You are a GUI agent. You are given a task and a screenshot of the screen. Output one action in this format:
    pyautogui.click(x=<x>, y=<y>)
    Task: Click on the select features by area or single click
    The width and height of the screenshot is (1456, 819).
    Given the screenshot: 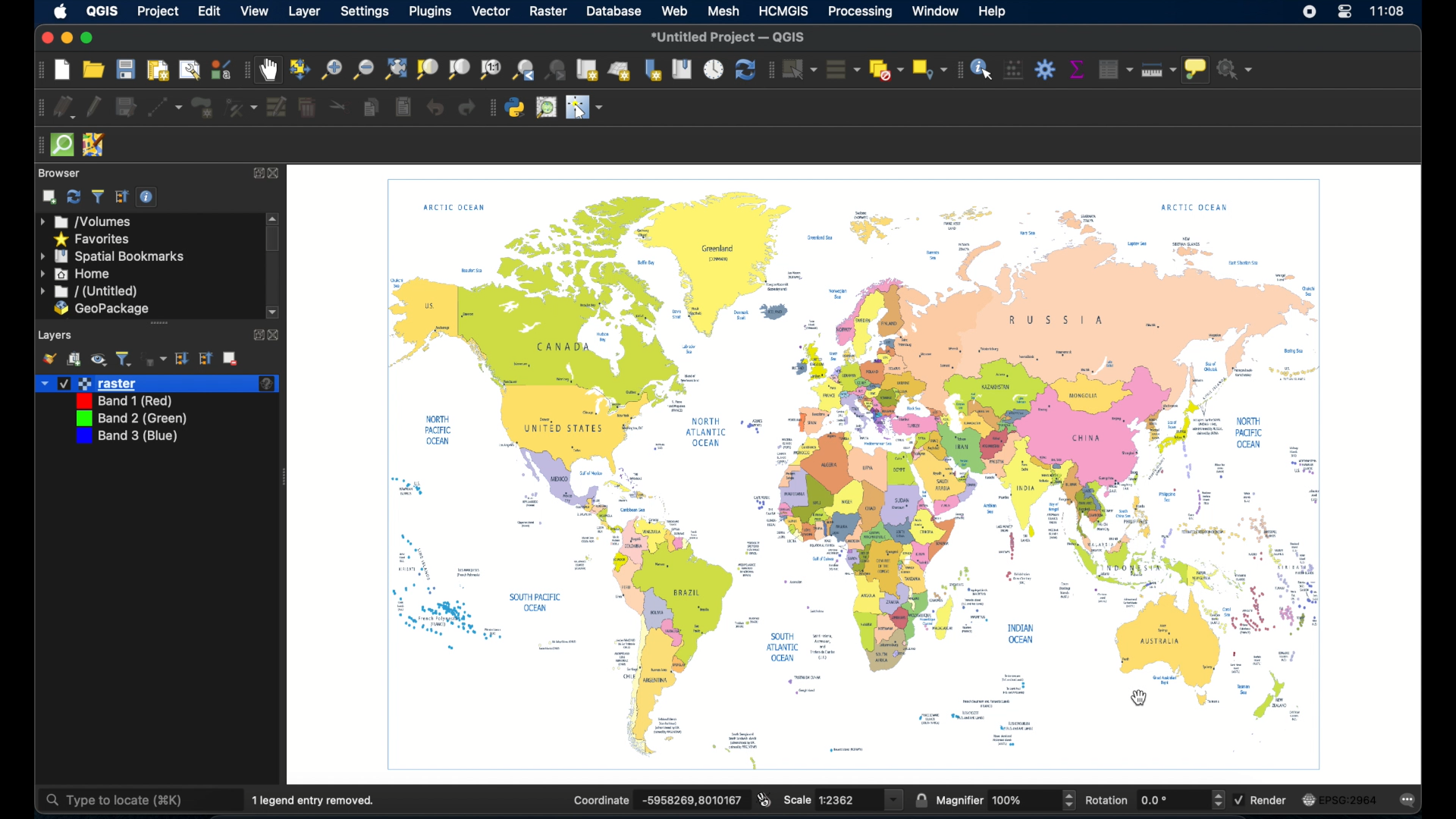 What is the action you would take?
    pyautogui.click(x=799, y=68)
    